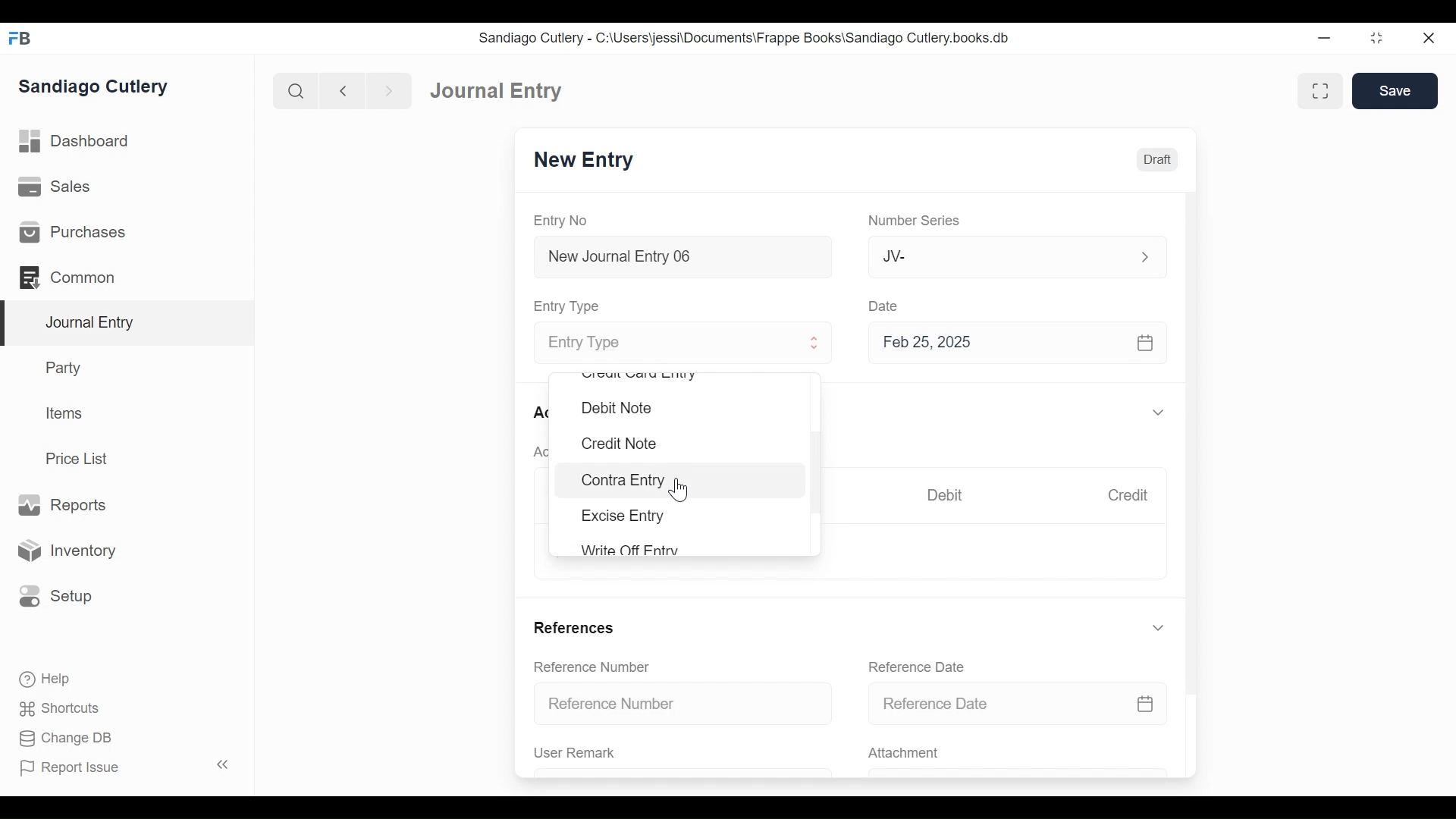 The image size is (1456, 819). I want to click on New Entry, so click(584, 160).